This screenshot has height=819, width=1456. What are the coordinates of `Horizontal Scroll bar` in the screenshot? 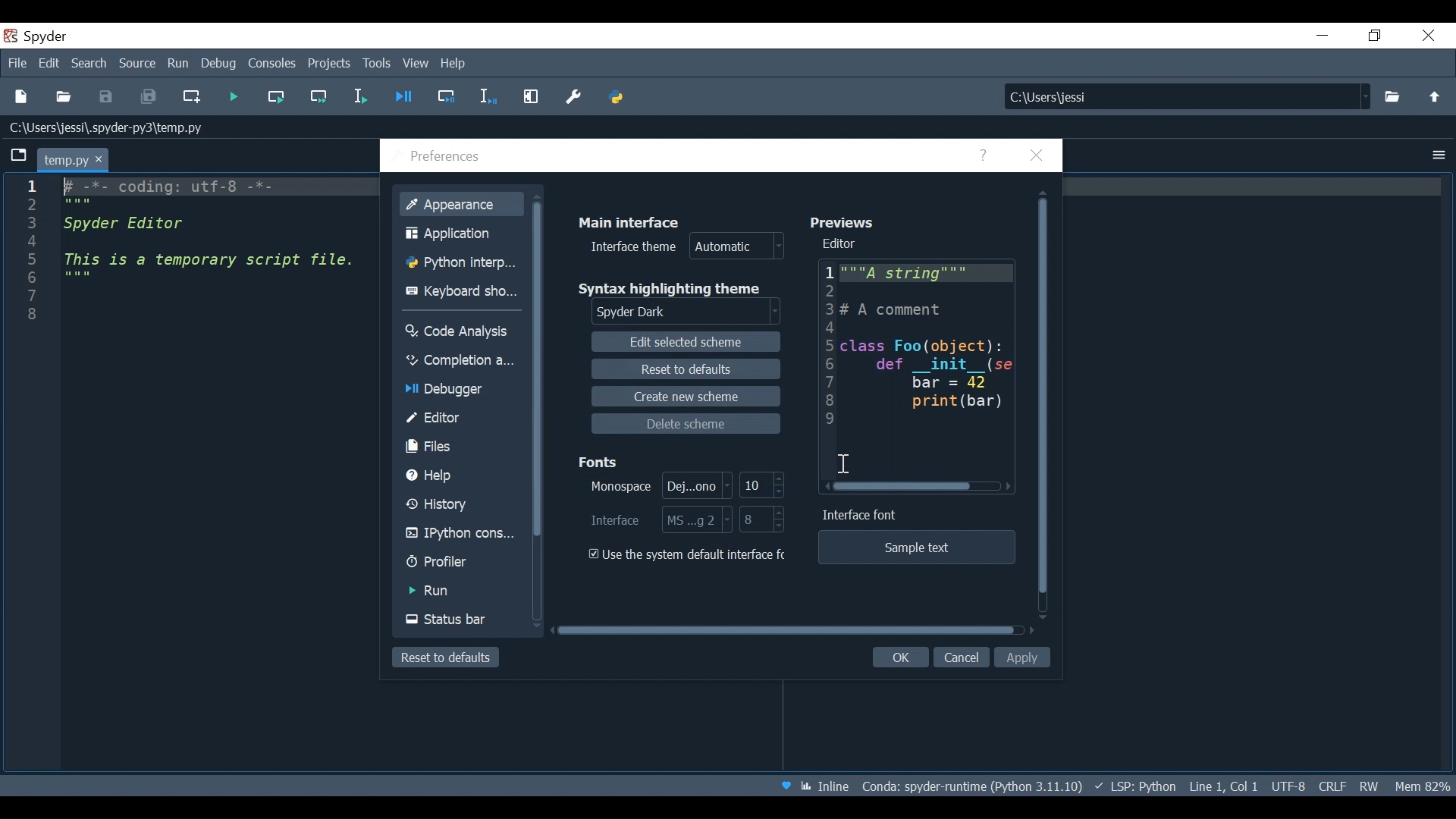 It's located at (905, 487).